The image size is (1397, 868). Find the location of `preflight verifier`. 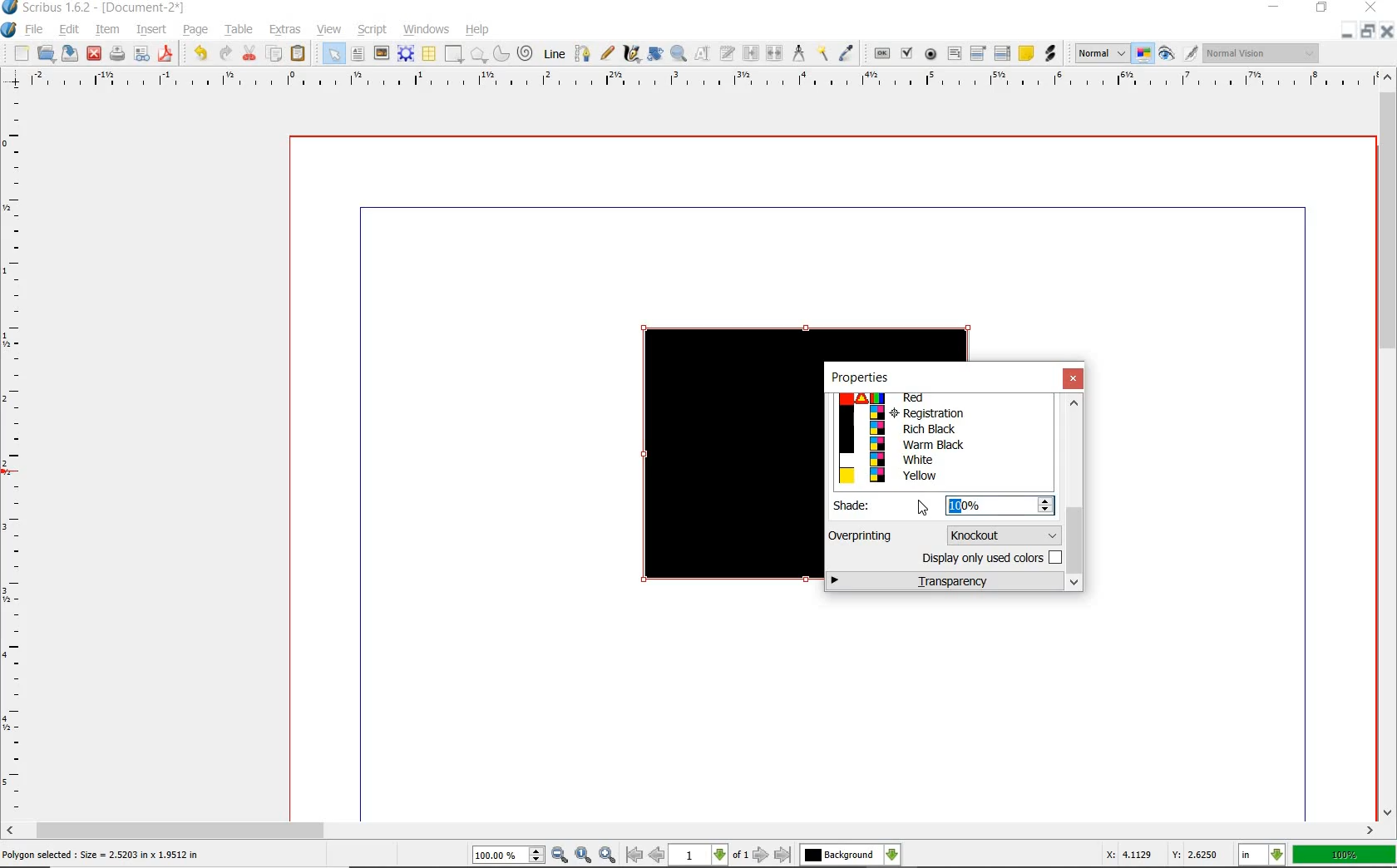

preflight verifier is located at coordinates (142, 54).